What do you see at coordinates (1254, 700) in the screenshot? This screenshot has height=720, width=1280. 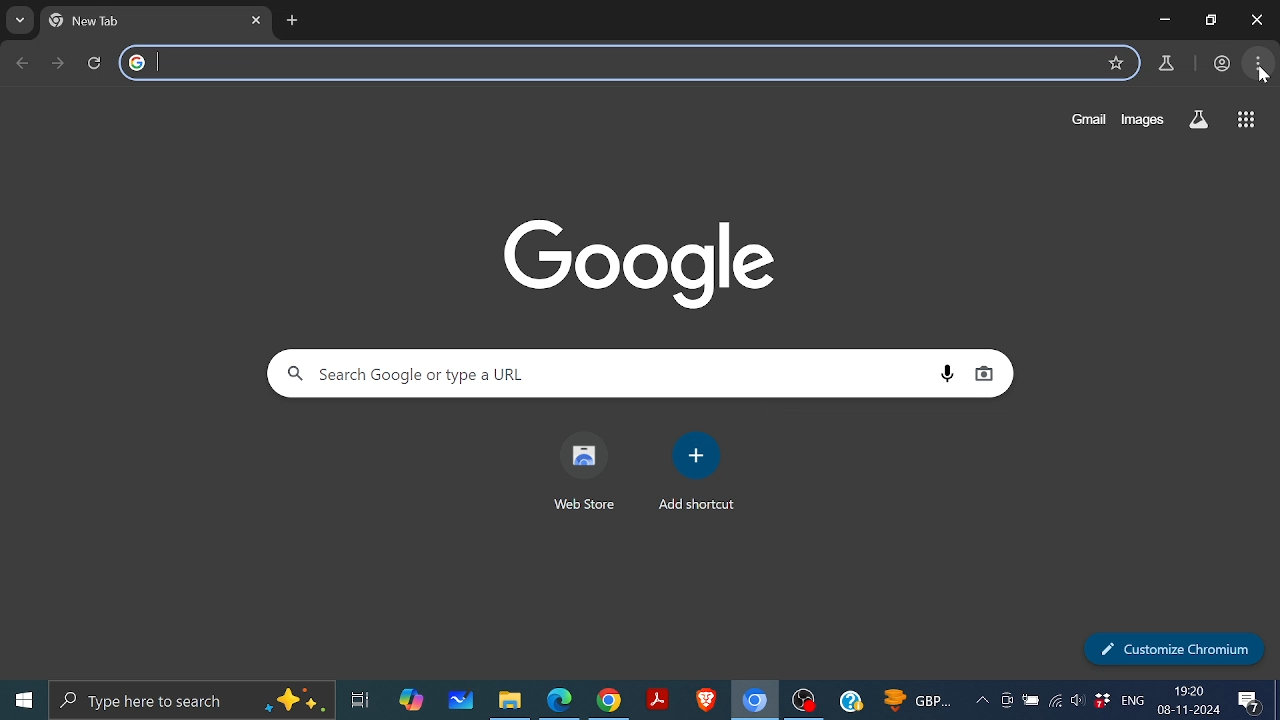 I see `Notifications` at bounding box center [1254, 700].